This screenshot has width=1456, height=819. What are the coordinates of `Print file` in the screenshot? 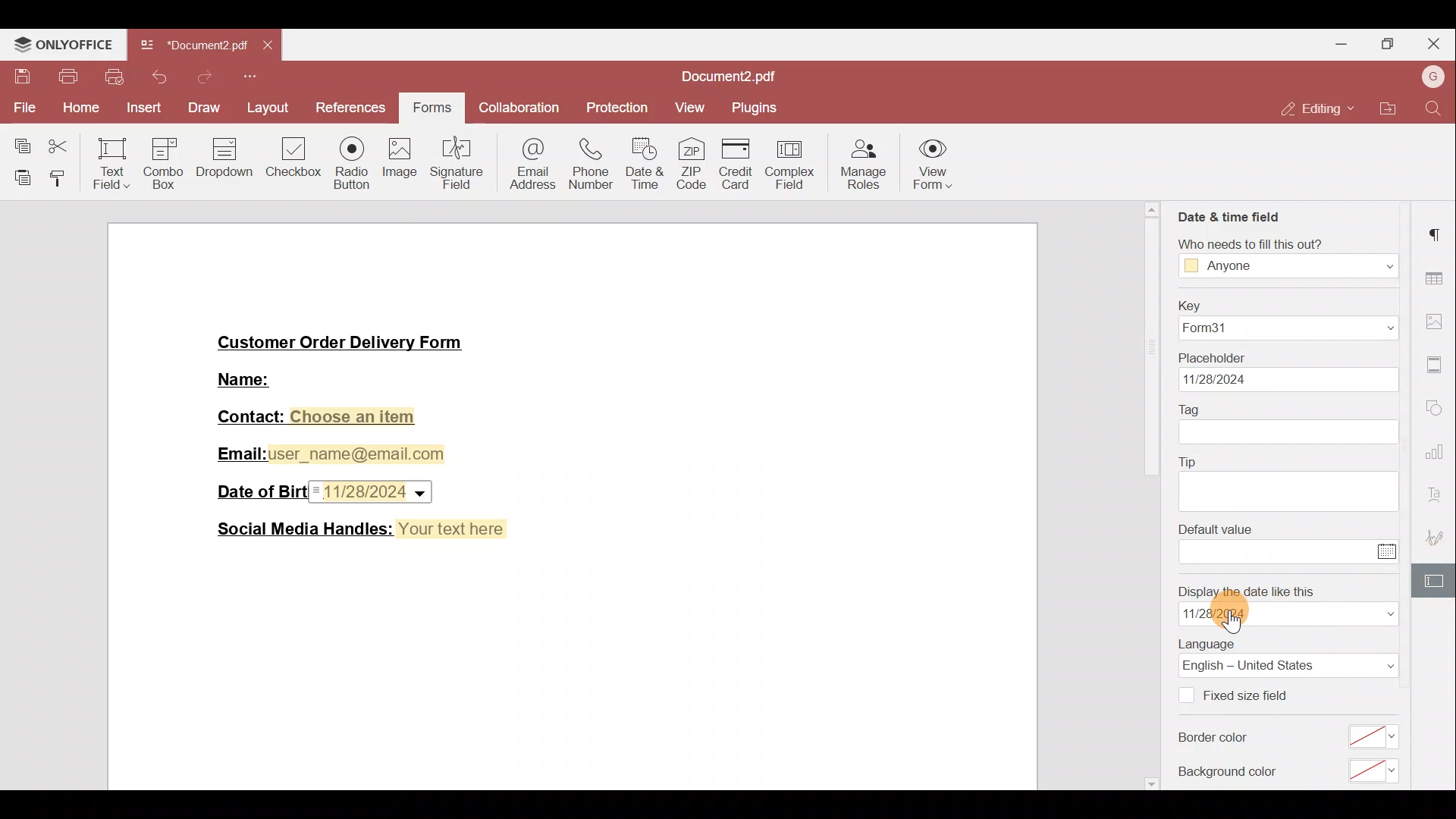 It's located at (63, 77).